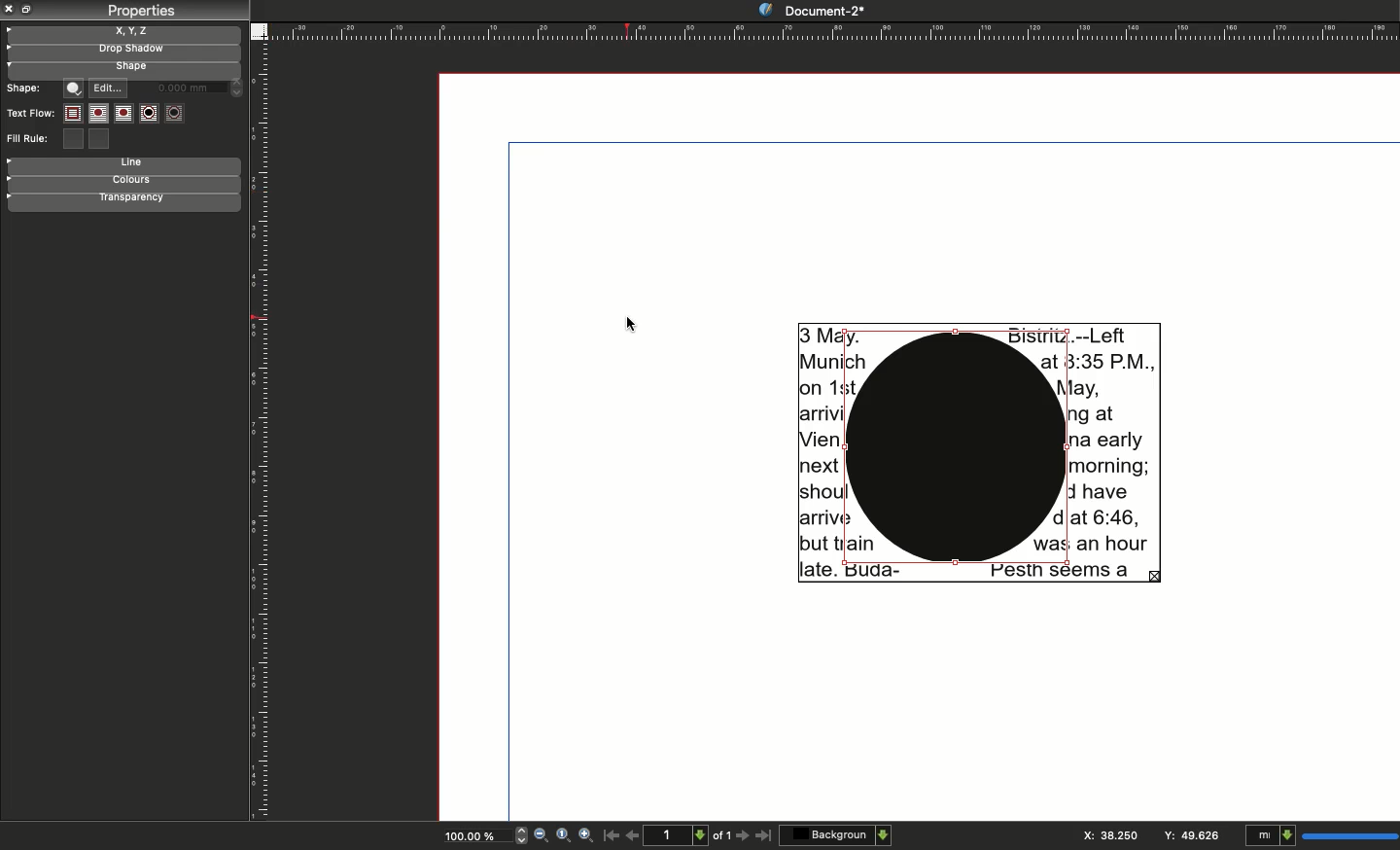 The height and width of the screenshot is (850, 1400). Describe the element at coordinates (1189, 835) in the screenshot. I see `Y: 87.481` at that location.